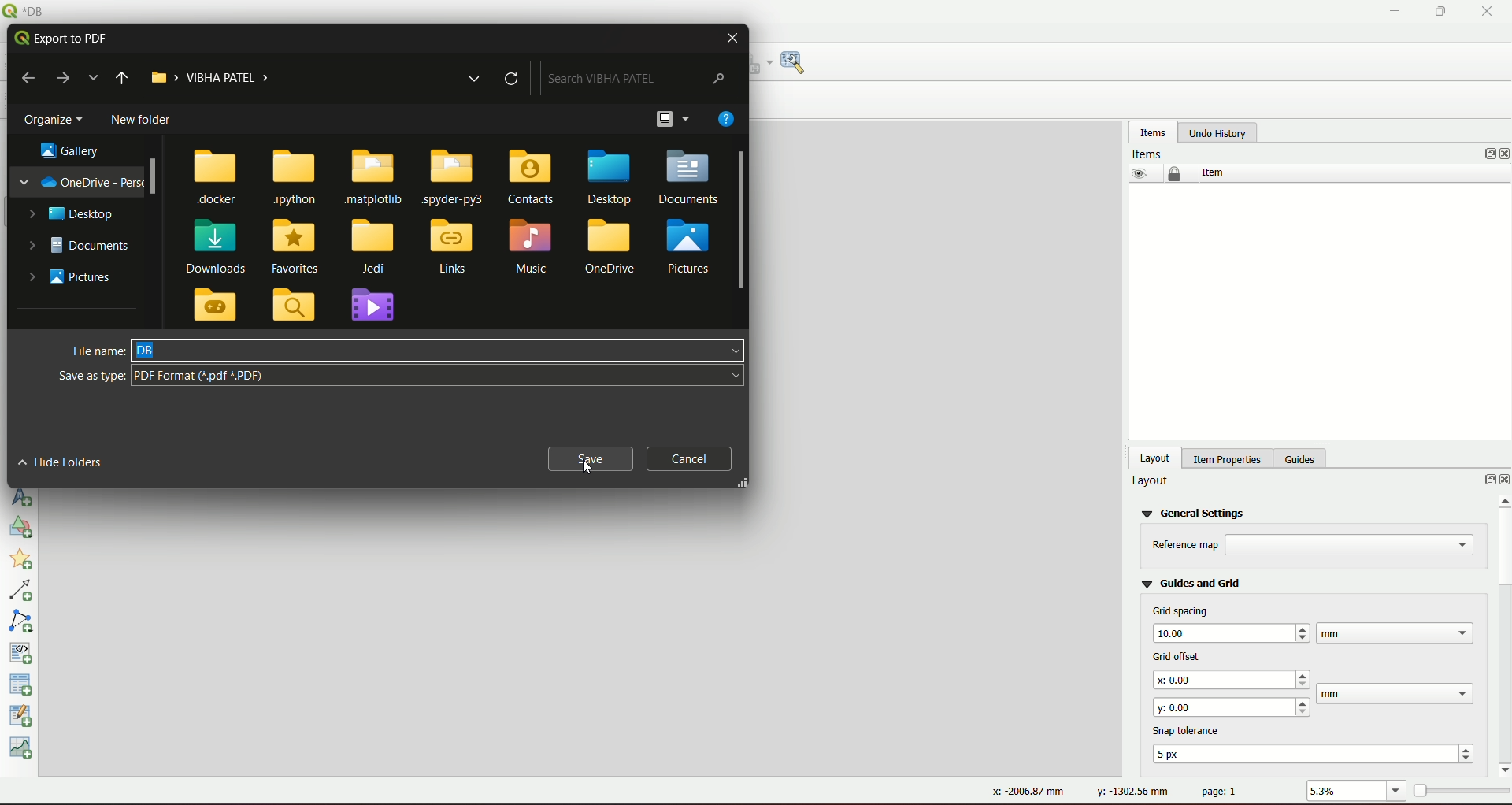 The height and width of the screenshot is (805, 1512). I want to click on .jedi, so click(372, 247).